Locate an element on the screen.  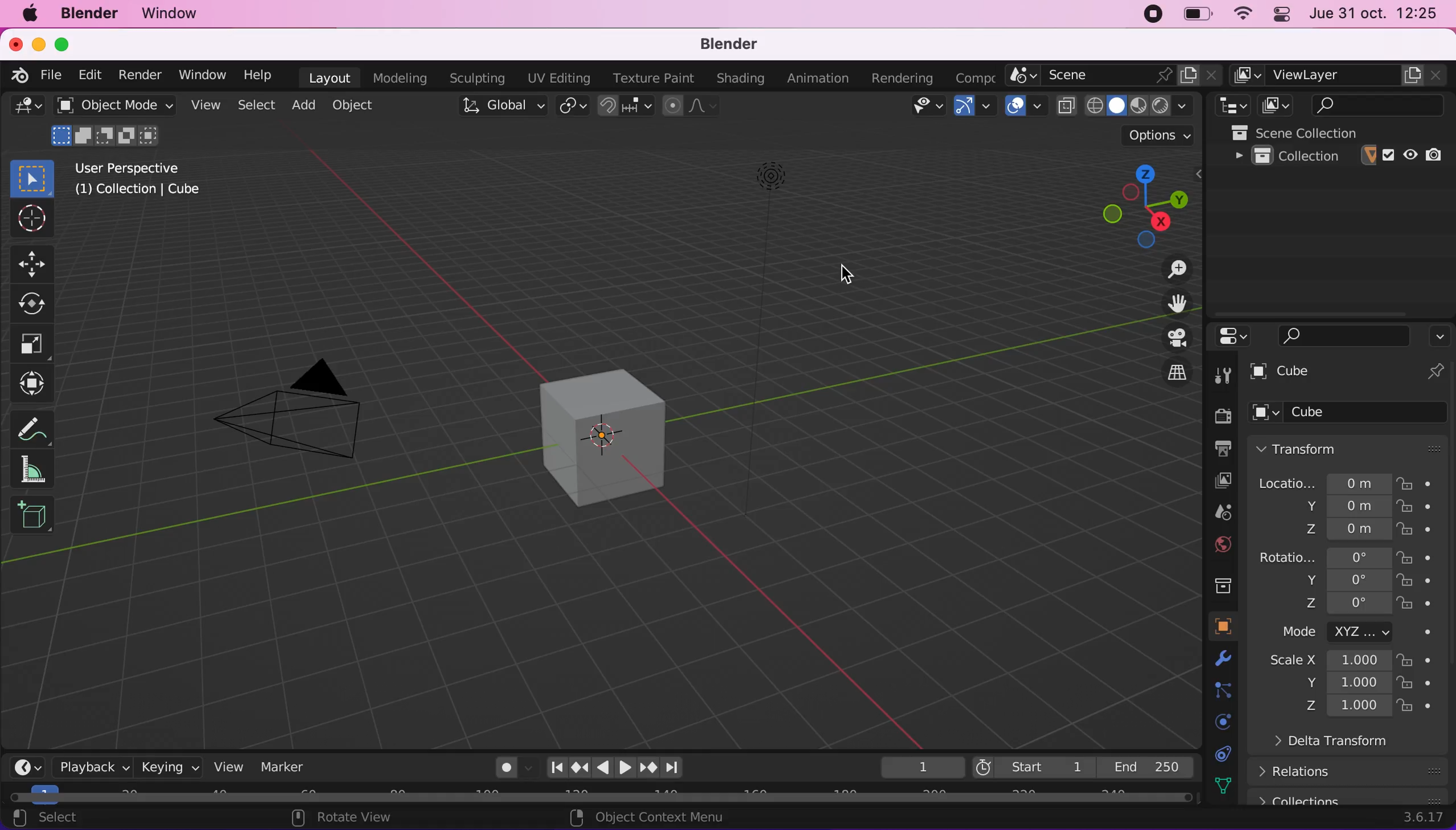
proportional editing objects is located at coordinates (690, 105).